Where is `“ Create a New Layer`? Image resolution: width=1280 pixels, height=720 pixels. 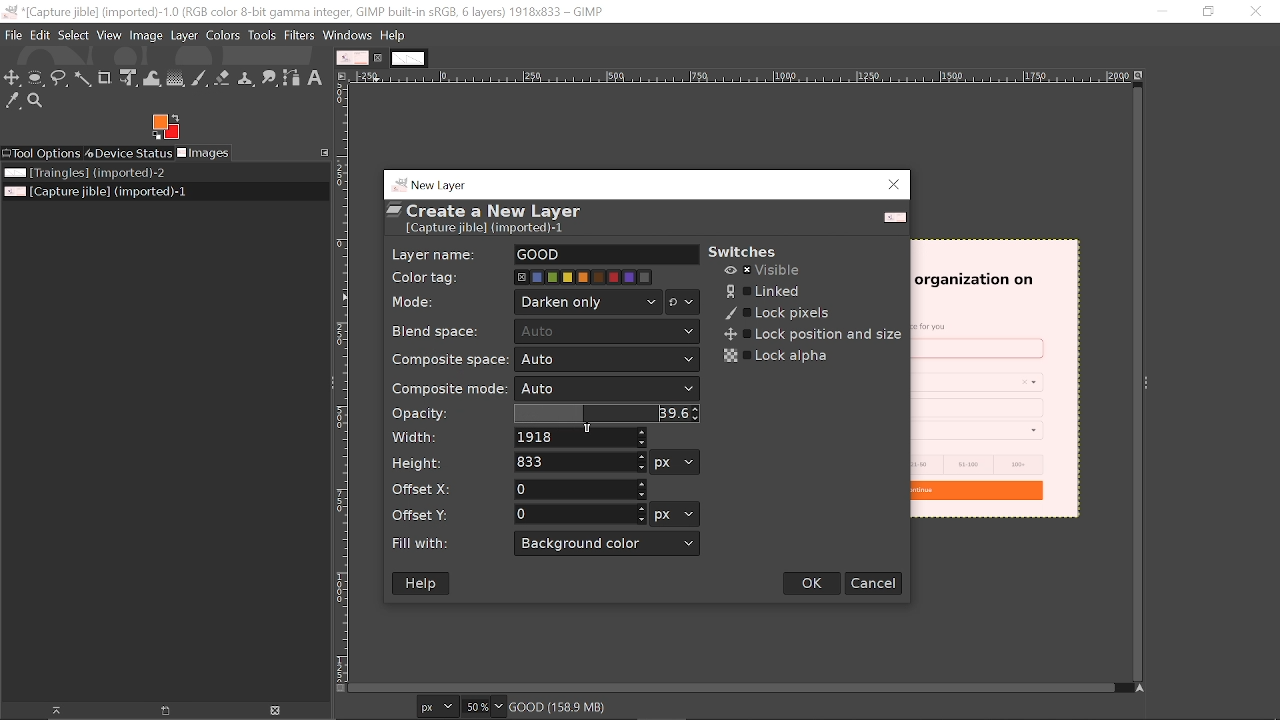 “ Create a New Layer is located at coordinates (498, 220).